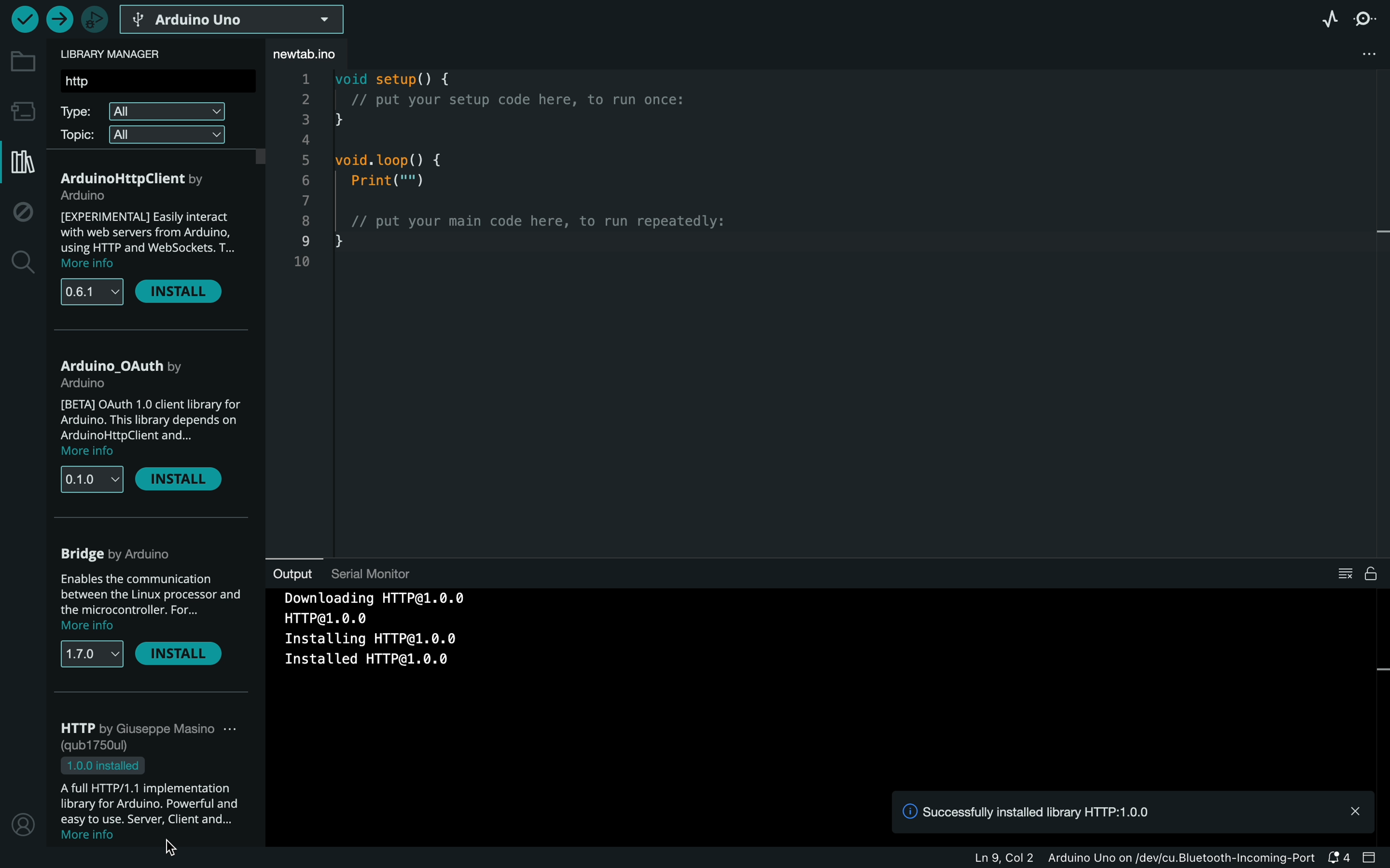  I want to click on description, so click(150, 230).